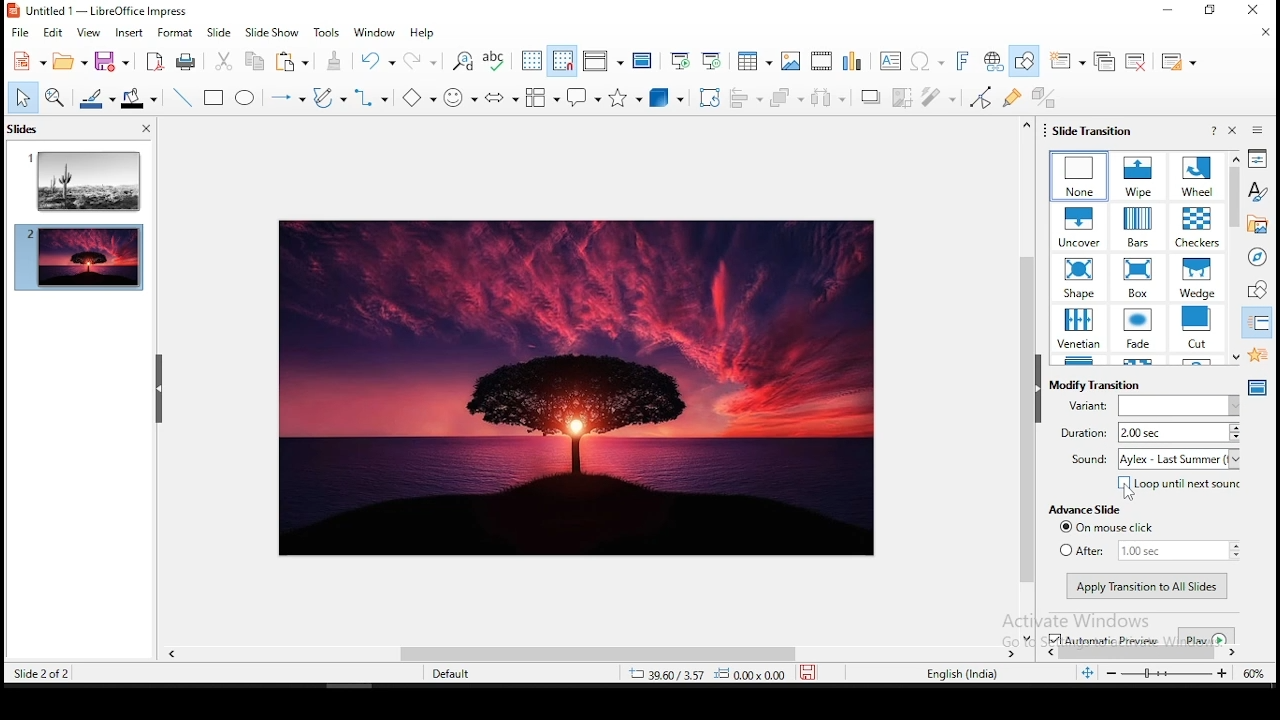 The height and width of the screenshot is (720, 1280). I want to click on scroll bar, so click(1137, 652).